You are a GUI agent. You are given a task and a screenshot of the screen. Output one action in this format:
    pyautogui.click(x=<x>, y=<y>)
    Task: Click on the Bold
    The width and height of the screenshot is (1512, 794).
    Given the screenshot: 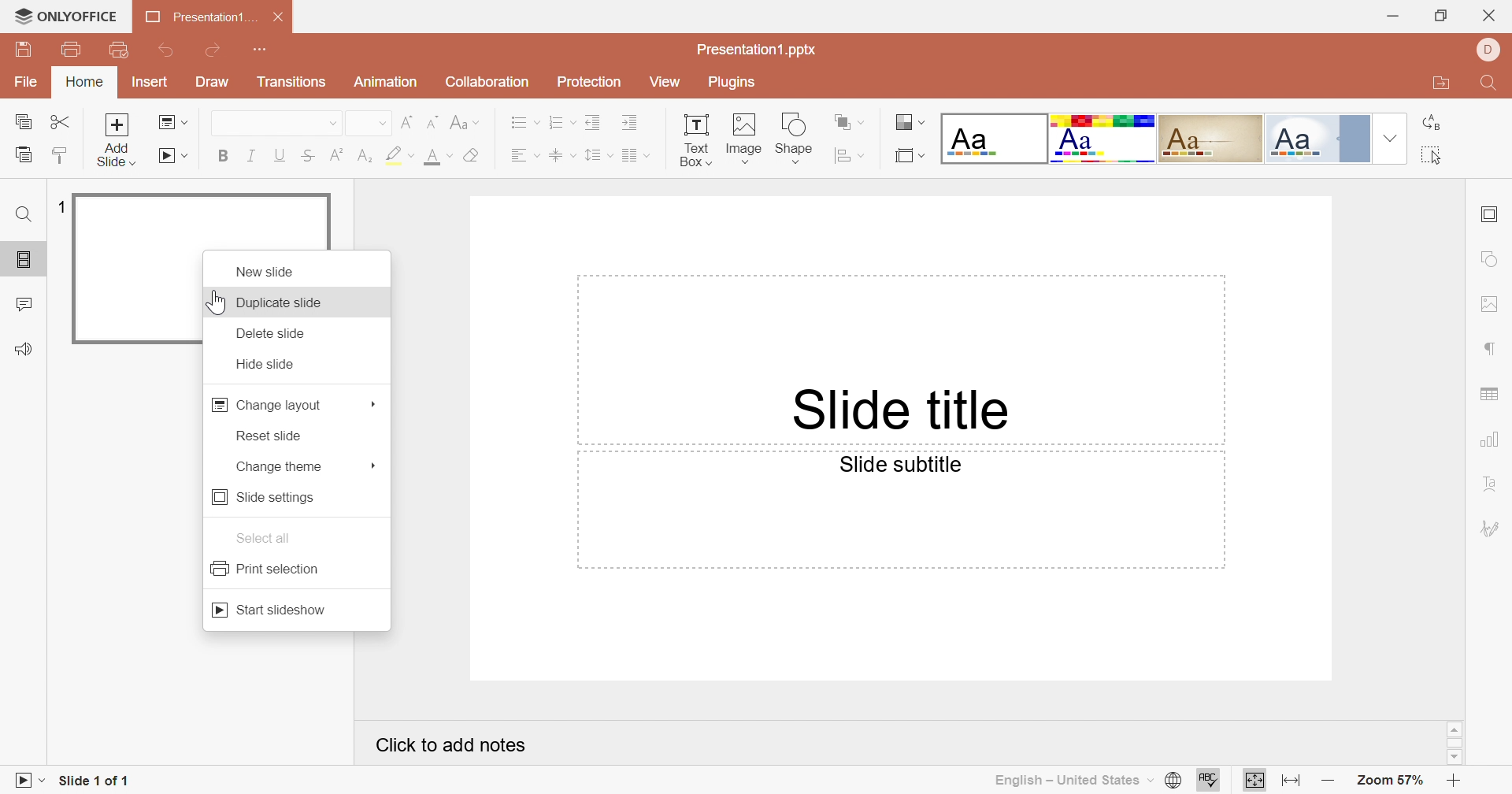 What is the action you would take?
    pyautogui.click(x=223, y=156)
    